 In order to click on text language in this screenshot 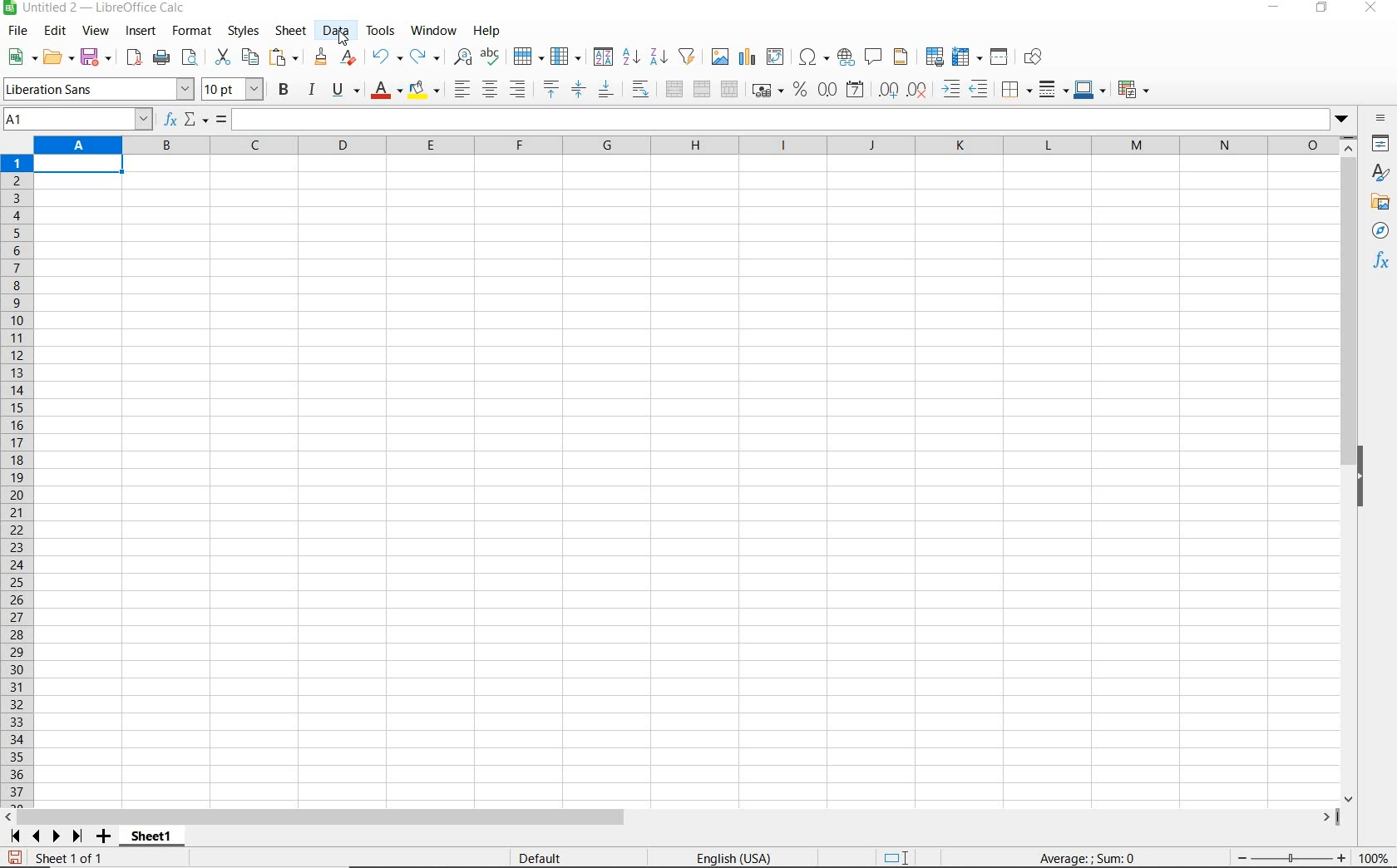, I will do `click(732, 860)`.